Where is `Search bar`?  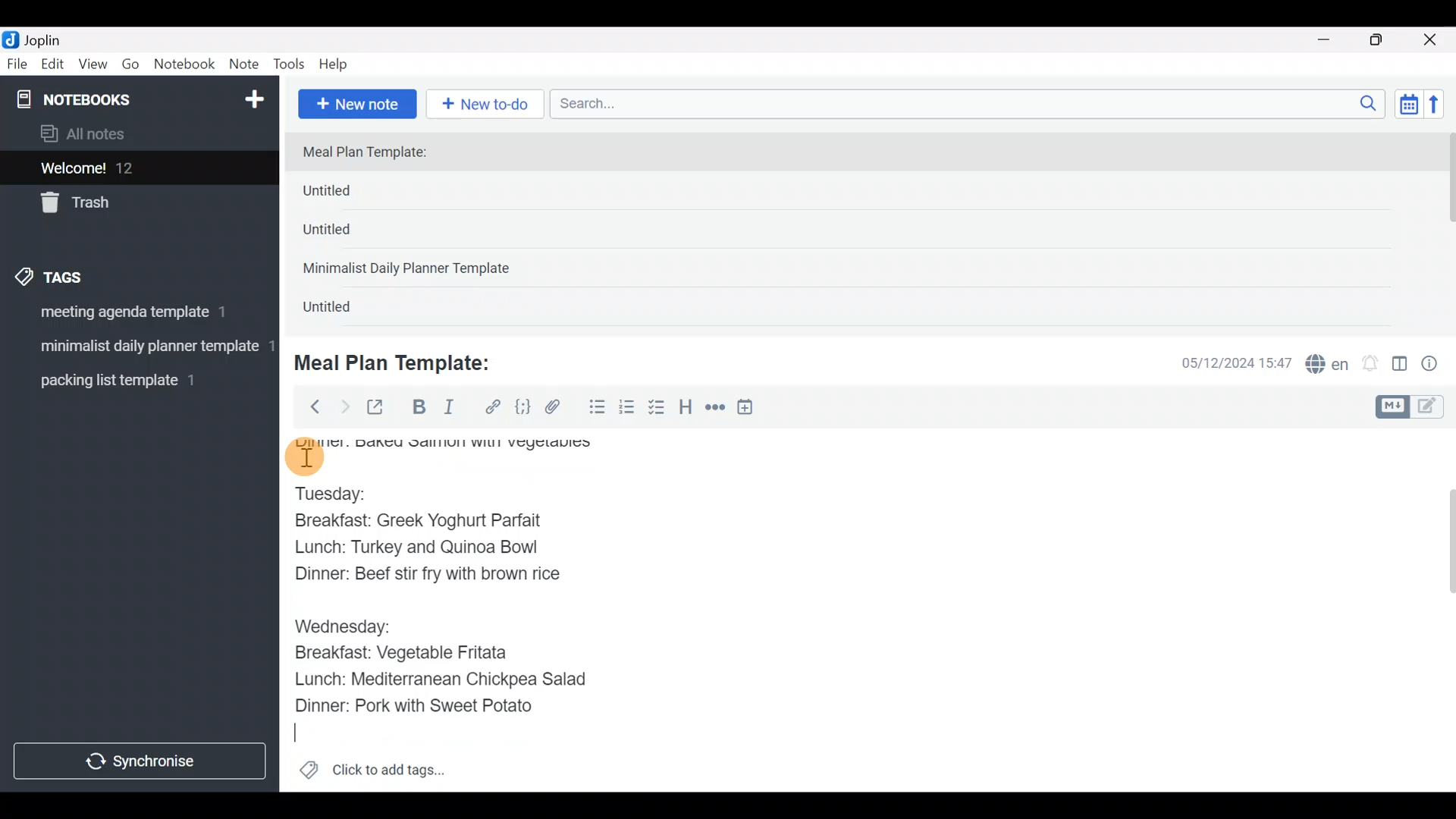
Search bar is located at coordinates (971, 102).